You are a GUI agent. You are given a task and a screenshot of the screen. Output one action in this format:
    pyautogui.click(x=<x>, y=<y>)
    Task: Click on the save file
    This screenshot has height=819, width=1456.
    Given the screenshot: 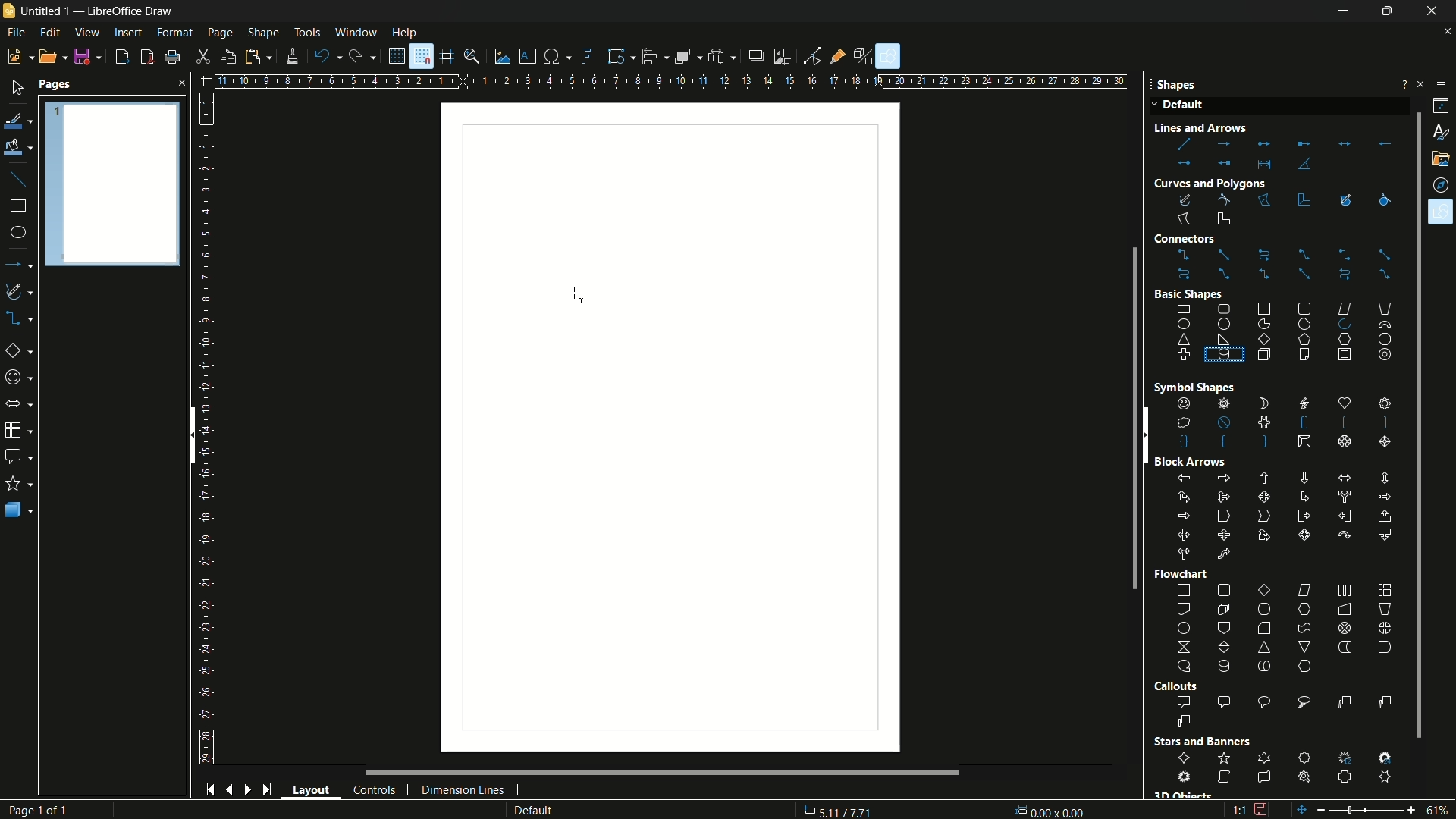 What is the action you would take?
    pyautogui.click(x=88, y=56)
    